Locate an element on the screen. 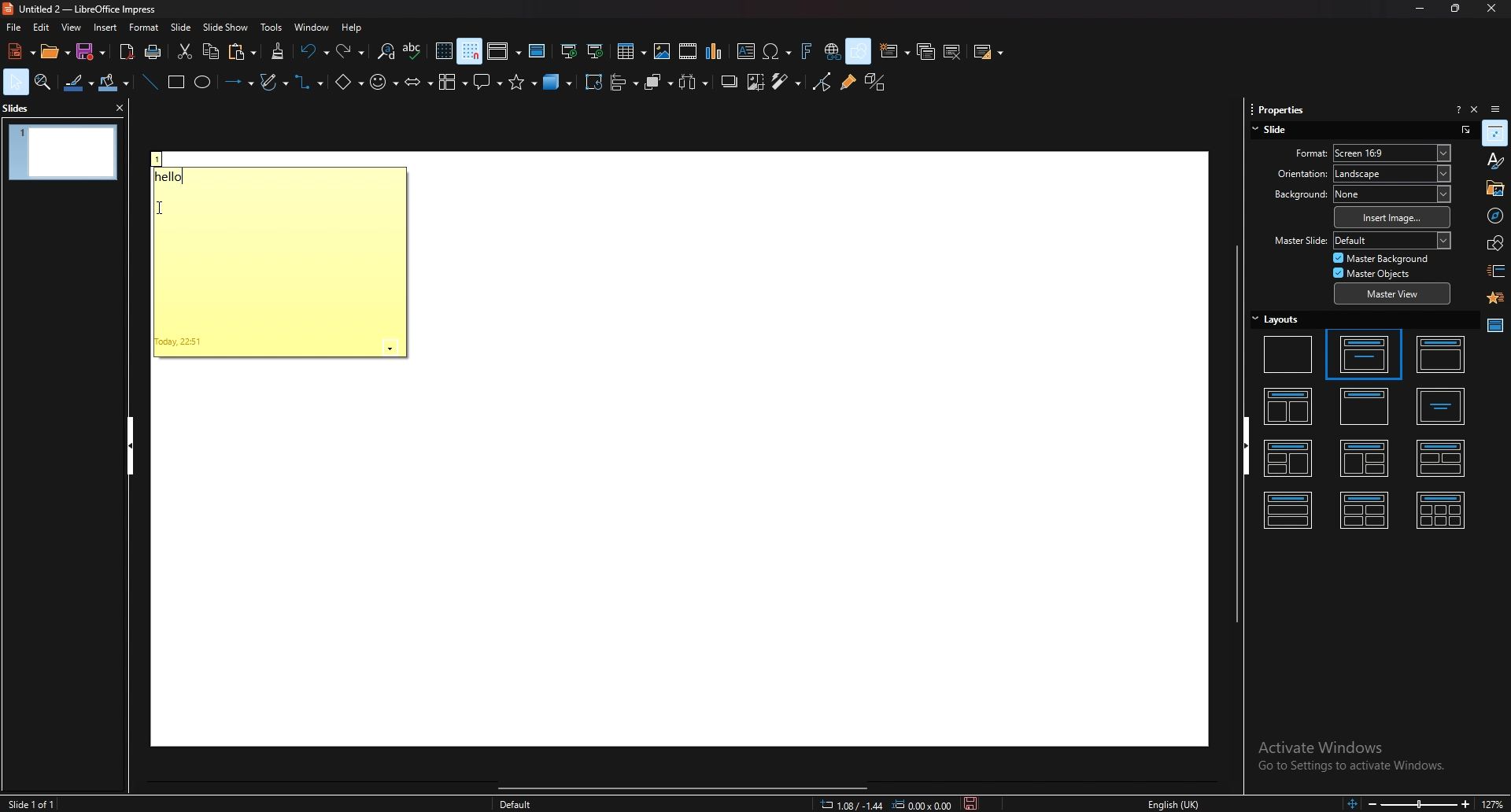  title content over content is located at coordinates (1289, 508).